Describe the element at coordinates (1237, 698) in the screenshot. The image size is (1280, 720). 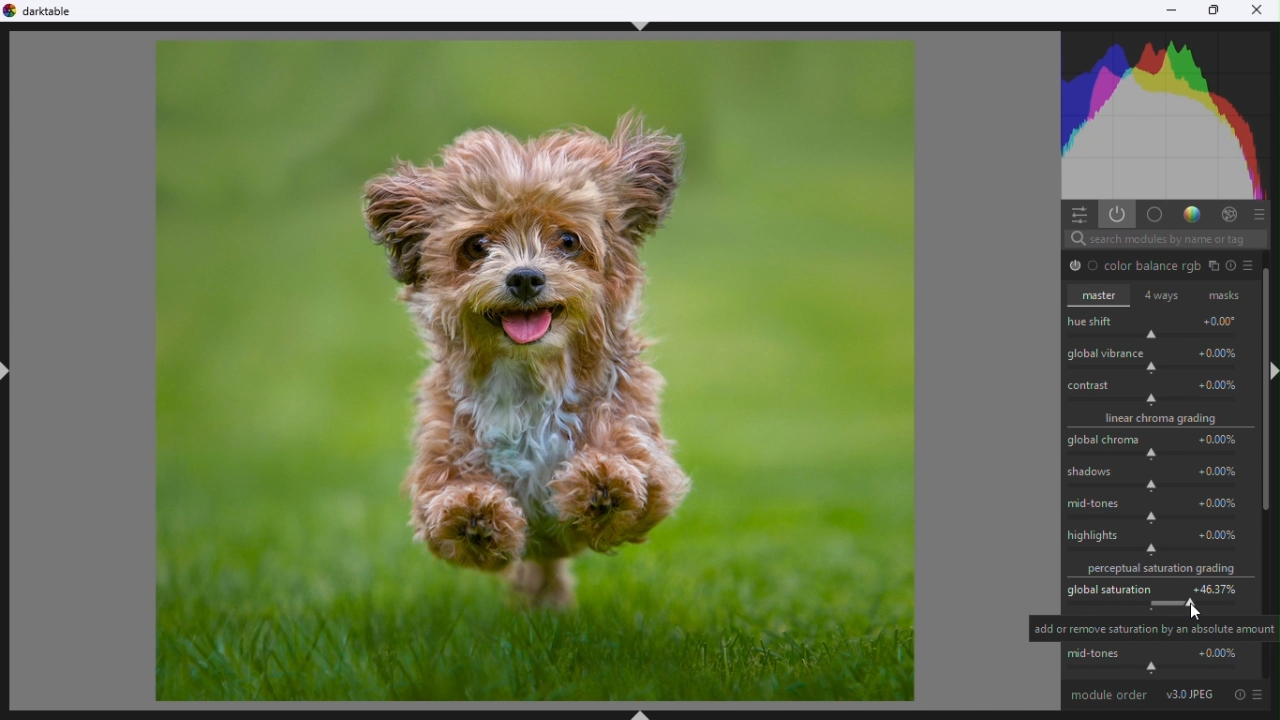
I see `` at that location.